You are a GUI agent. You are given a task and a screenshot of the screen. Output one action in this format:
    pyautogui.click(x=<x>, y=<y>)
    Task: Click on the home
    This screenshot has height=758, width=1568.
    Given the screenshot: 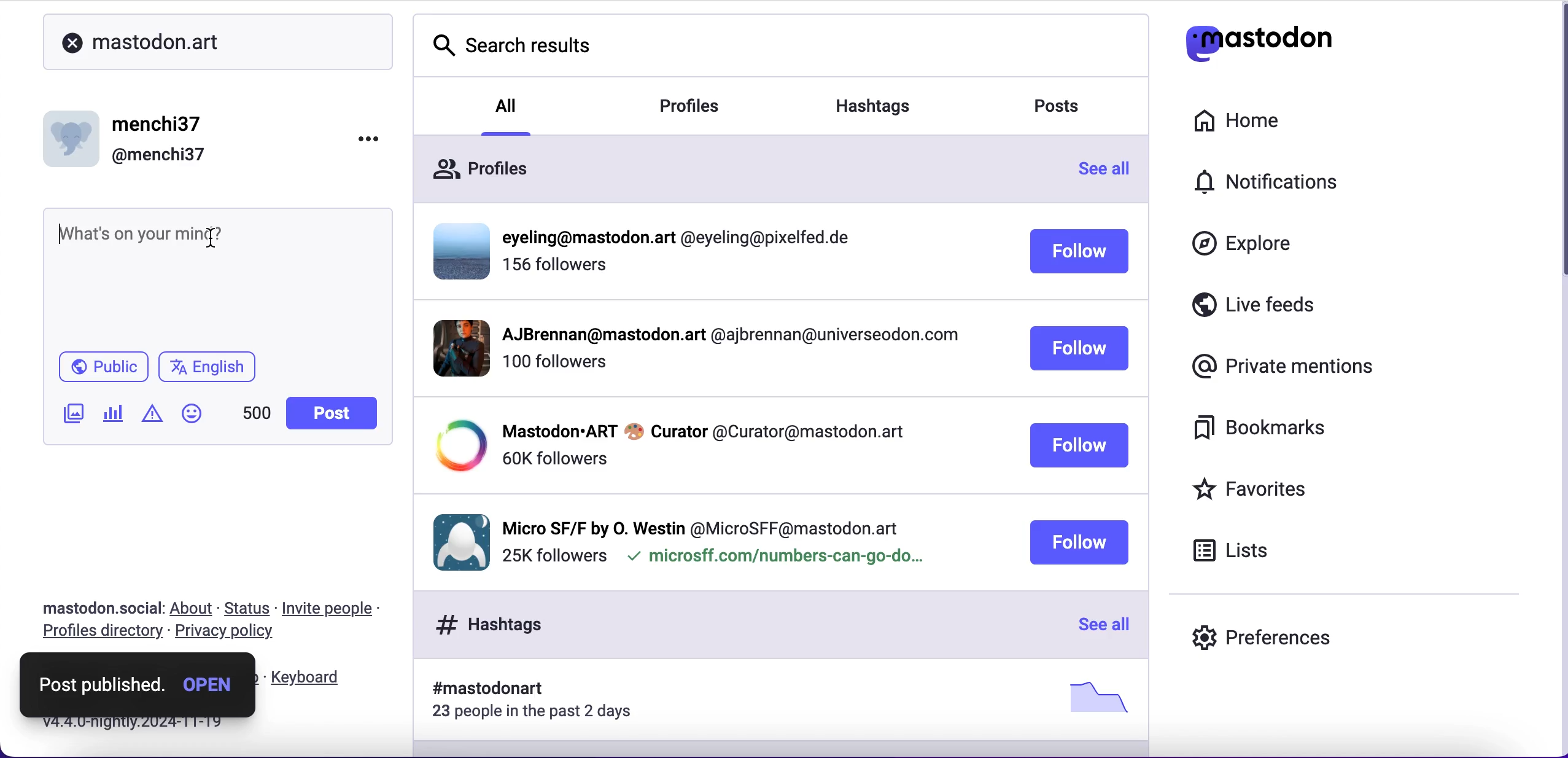 What is the action you would take?
    pyautogui.click(x=1252, y=122)
    